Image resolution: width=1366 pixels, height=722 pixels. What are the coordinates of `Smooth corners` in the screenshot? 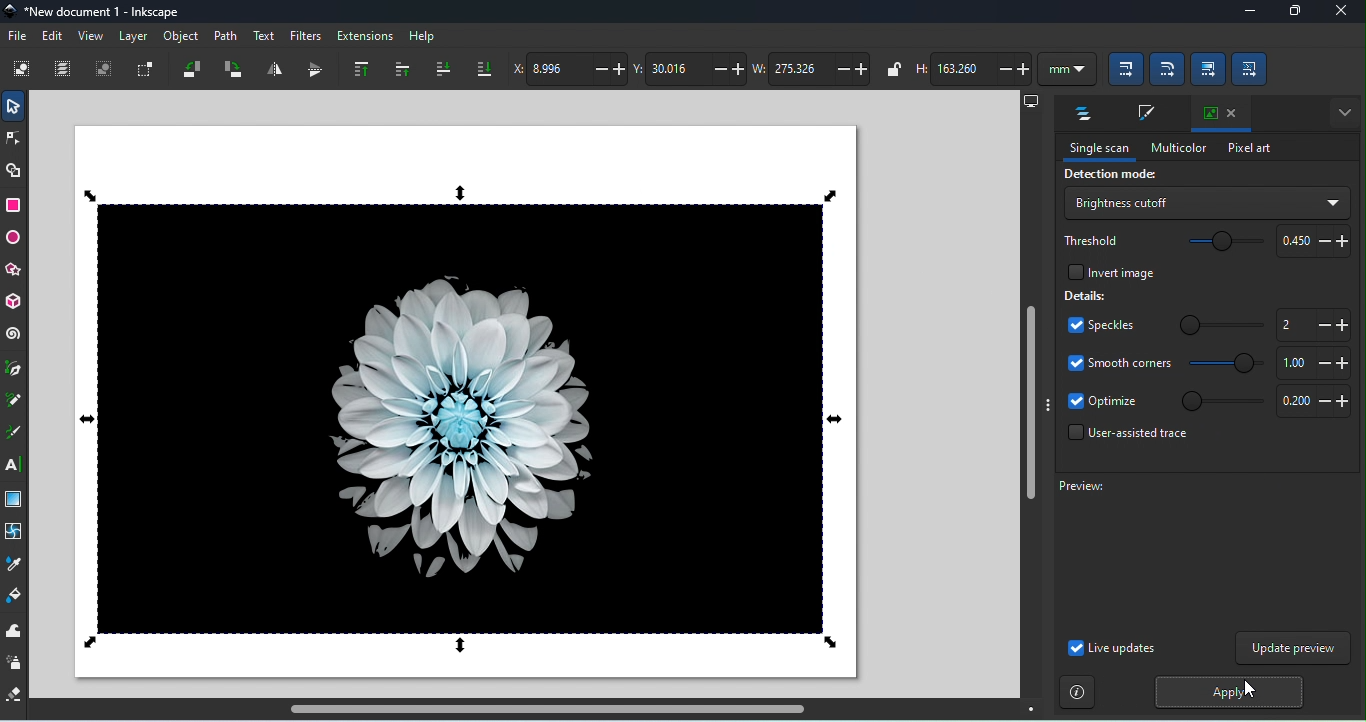 It's located at (1117, 366).